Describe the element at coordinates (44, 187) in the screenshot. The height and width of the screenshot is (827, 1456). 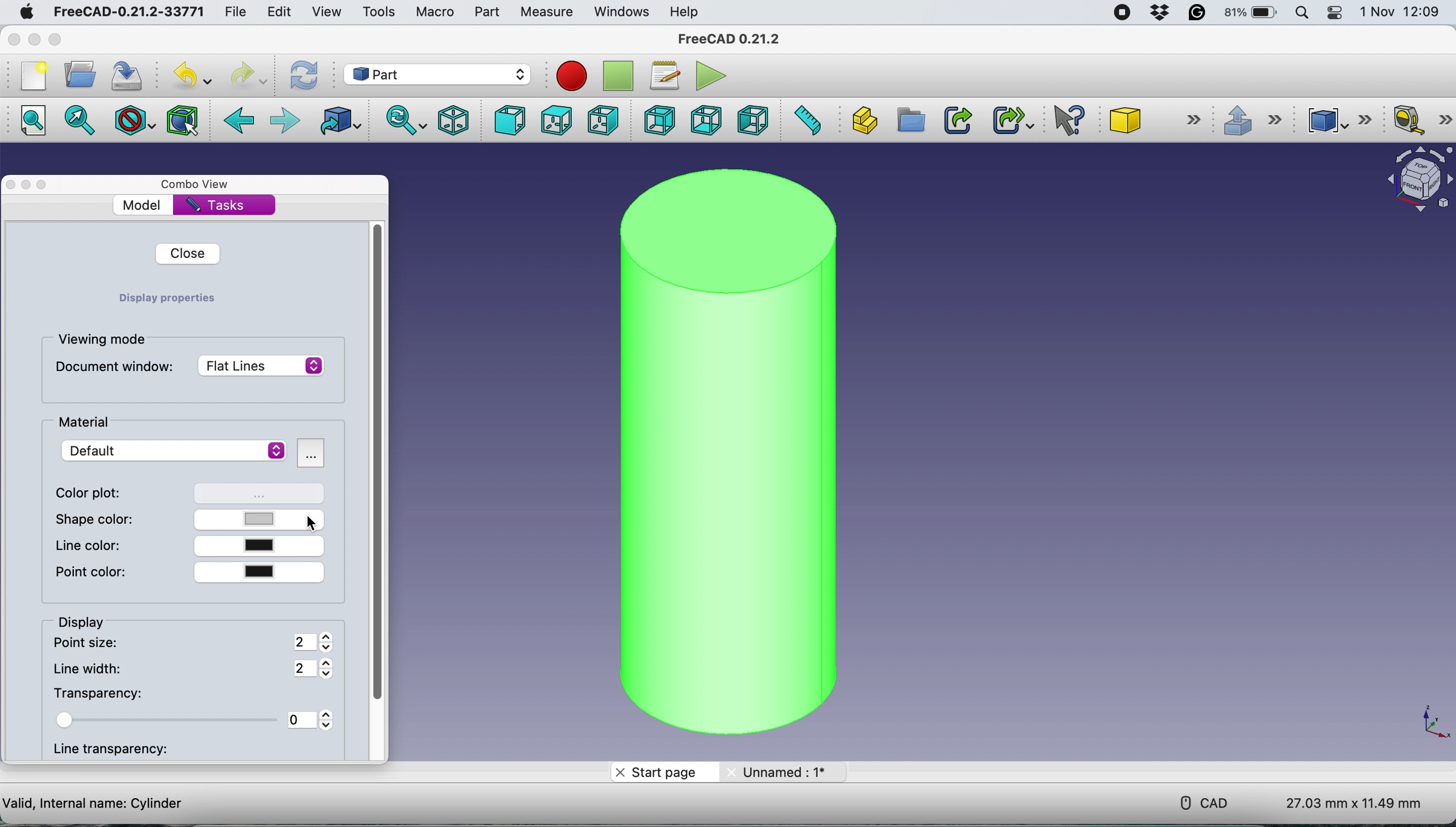
I see `maximise` at that location.